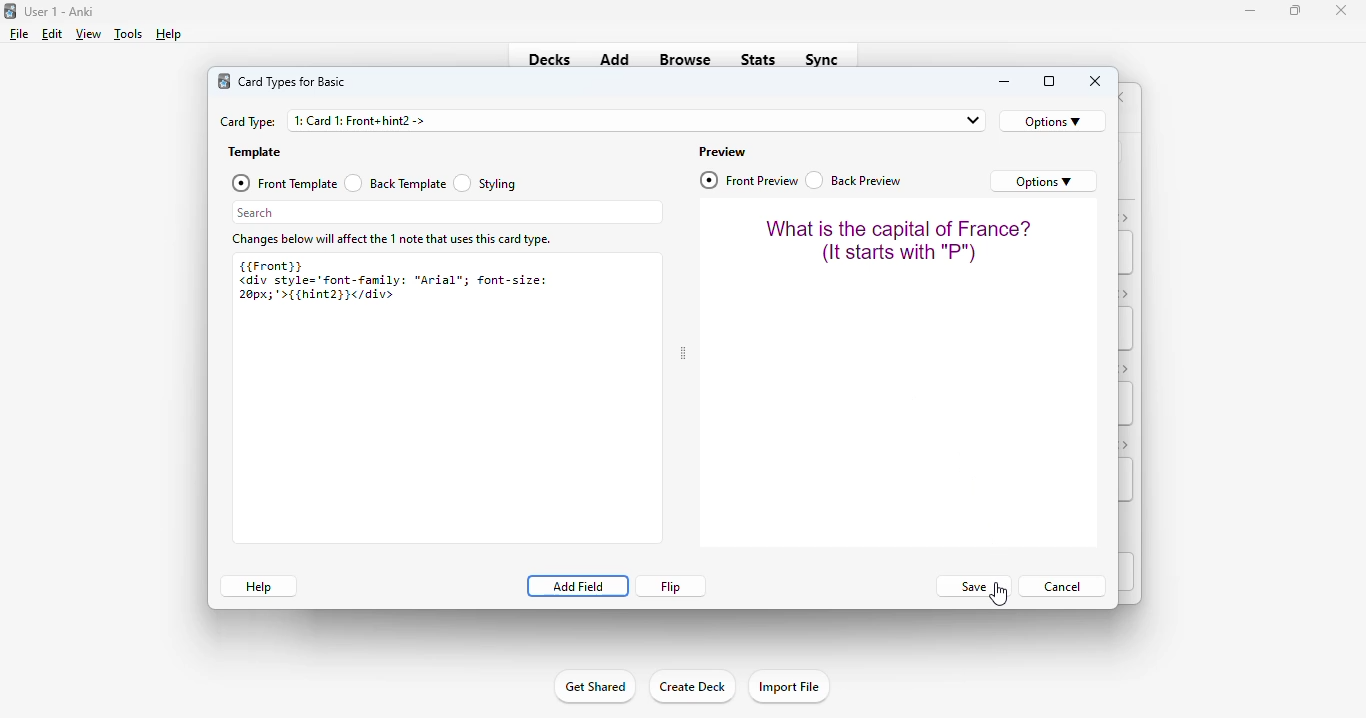 The height and width of the screenshot is (718, 1366). What do you see at coordinates (1096, 81) in the screenshot?
I see `close` at bounding box center [1096, 81].